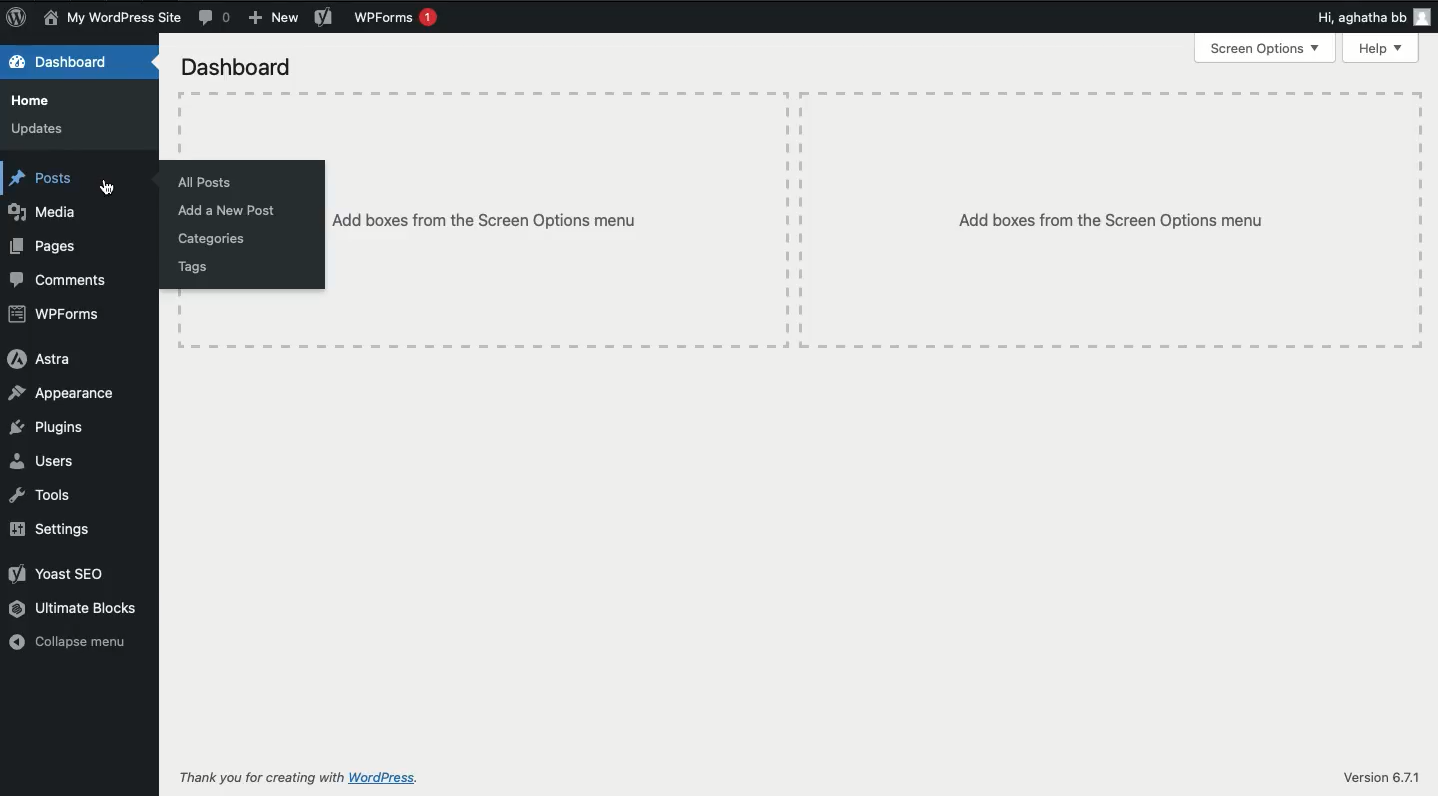  Describe the element at coordinates (217, 16) in the screenshot. I see `Comments` at that location.